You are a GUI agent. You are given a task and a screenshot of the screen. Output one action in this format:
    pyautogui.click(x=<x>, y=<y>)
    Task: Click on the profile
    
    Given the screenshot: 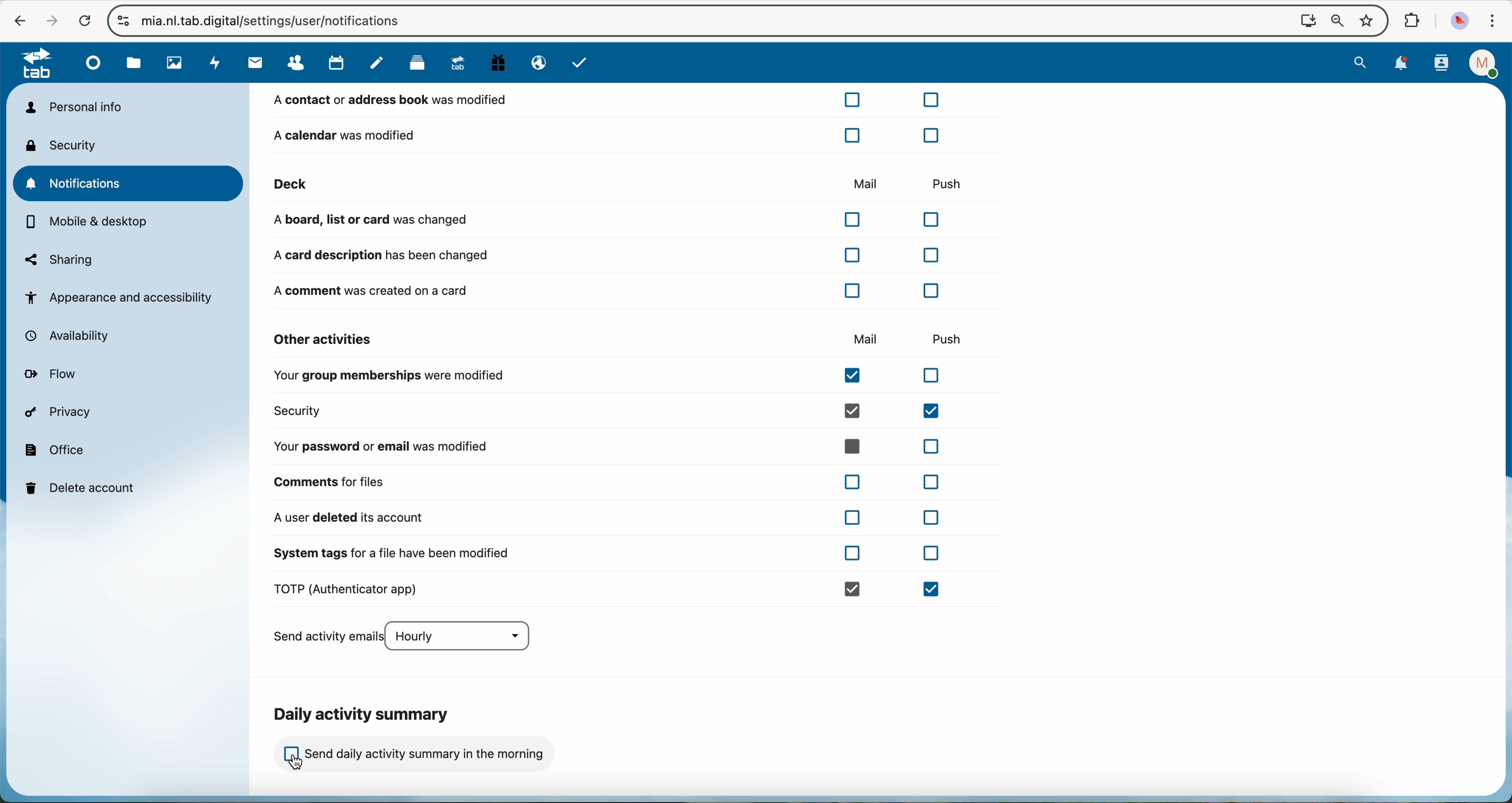 What is the action you would take?
    pyautogui.click(x=1480, y=63)
    